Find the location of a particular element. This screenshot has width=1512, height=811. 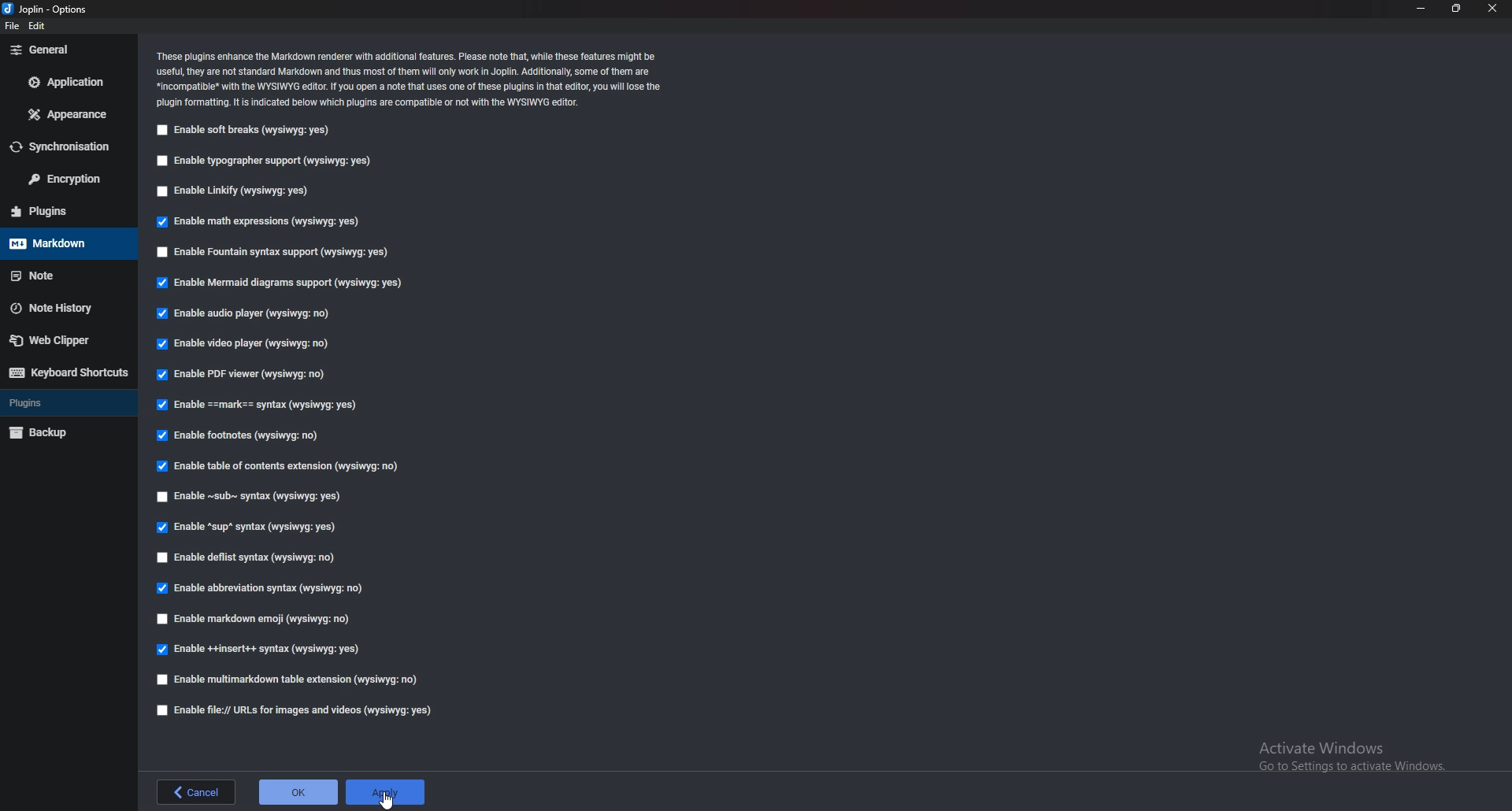

resize is located at coordinates (1457, 9).